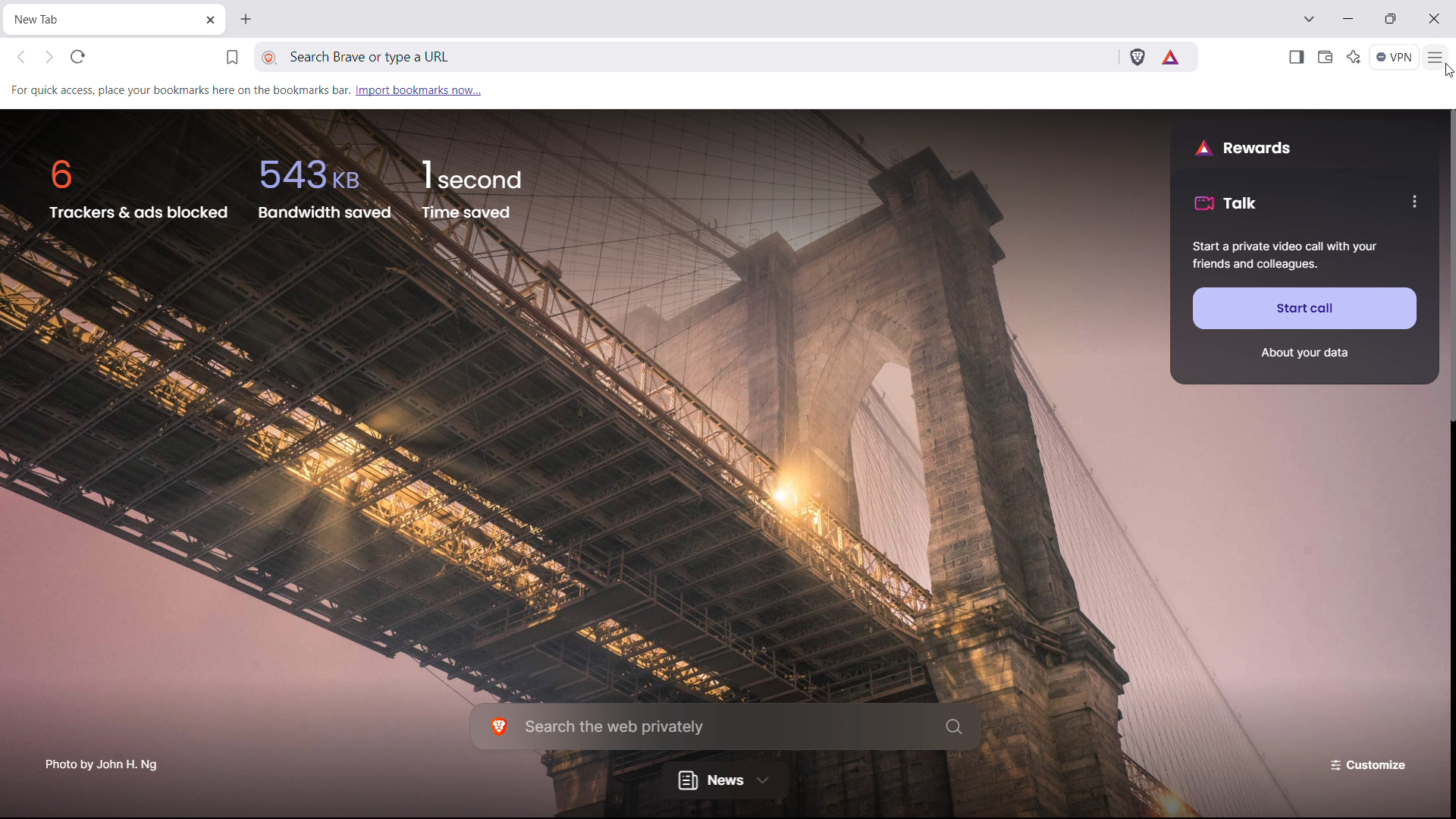 This screenshot has width=1456, height=819. What do you see at coordinates (101, 19) in the screenshot?
I see `tabtitle` at bounding box center [101, 19].